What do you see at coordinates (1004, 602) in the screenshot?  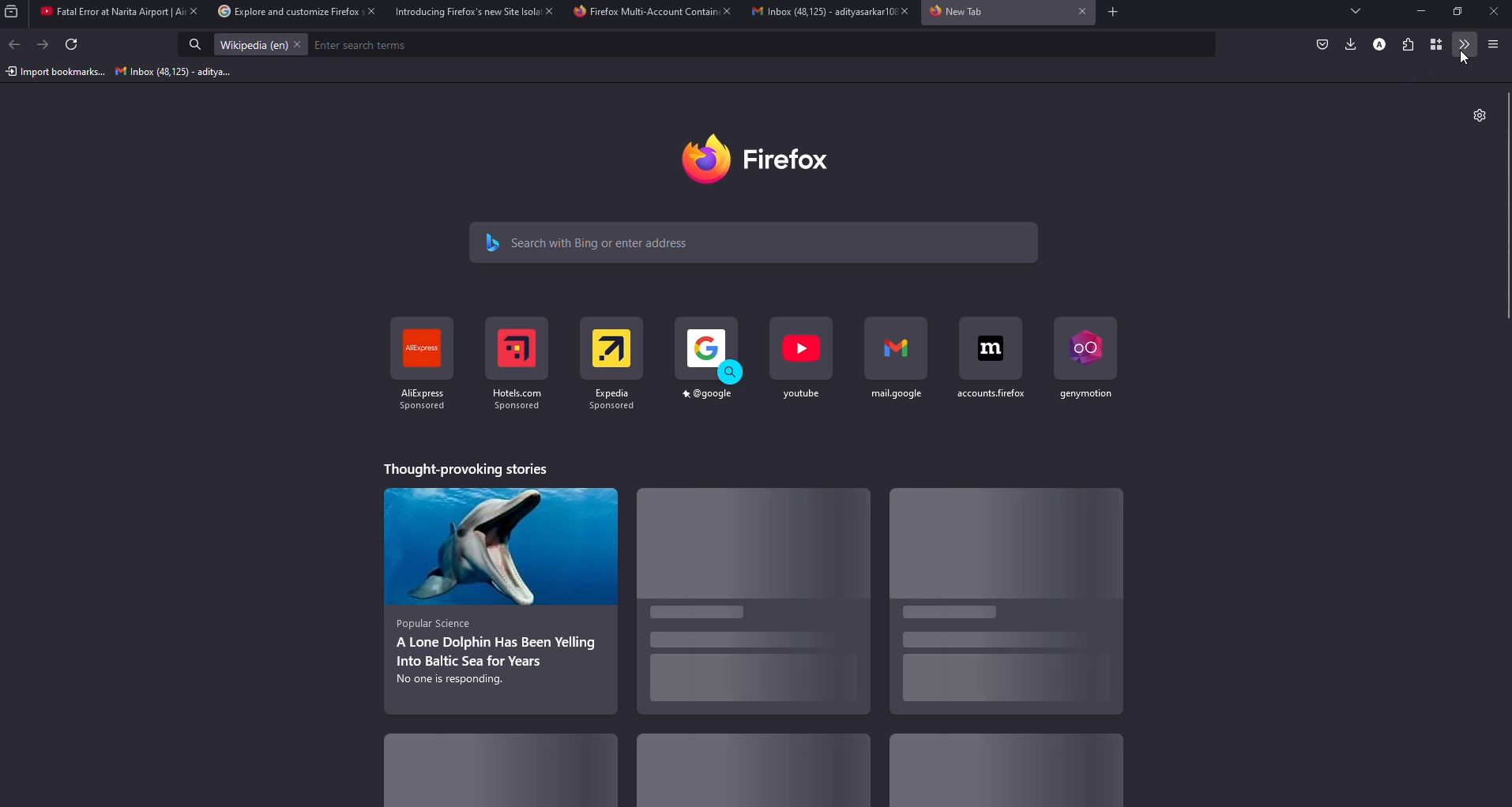 I see `stories` at bounding box center [1004, 602].